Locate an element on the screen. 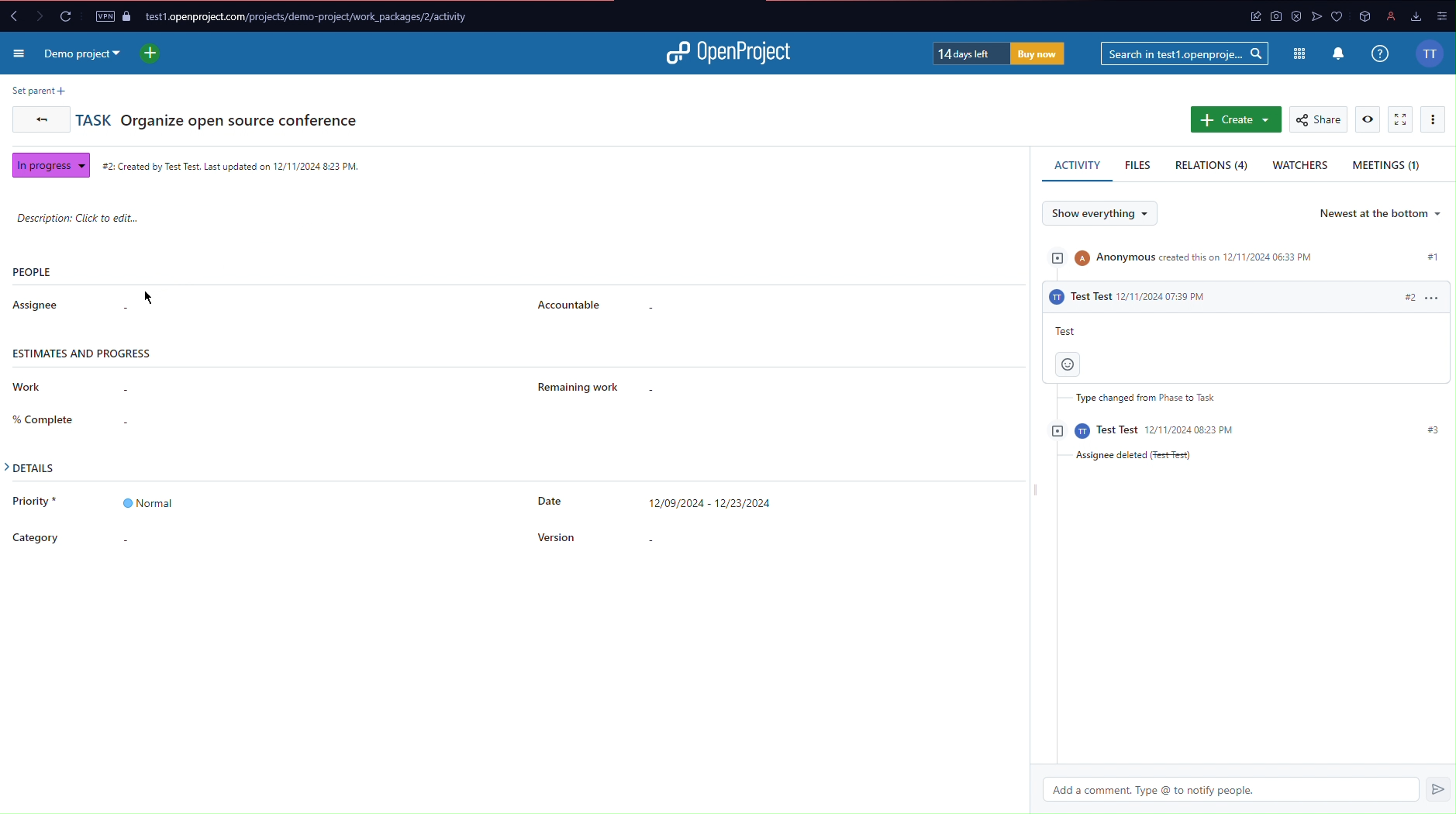 The image size is (1456, 814). VPN and Page Security is located at coordinates (112, 16).